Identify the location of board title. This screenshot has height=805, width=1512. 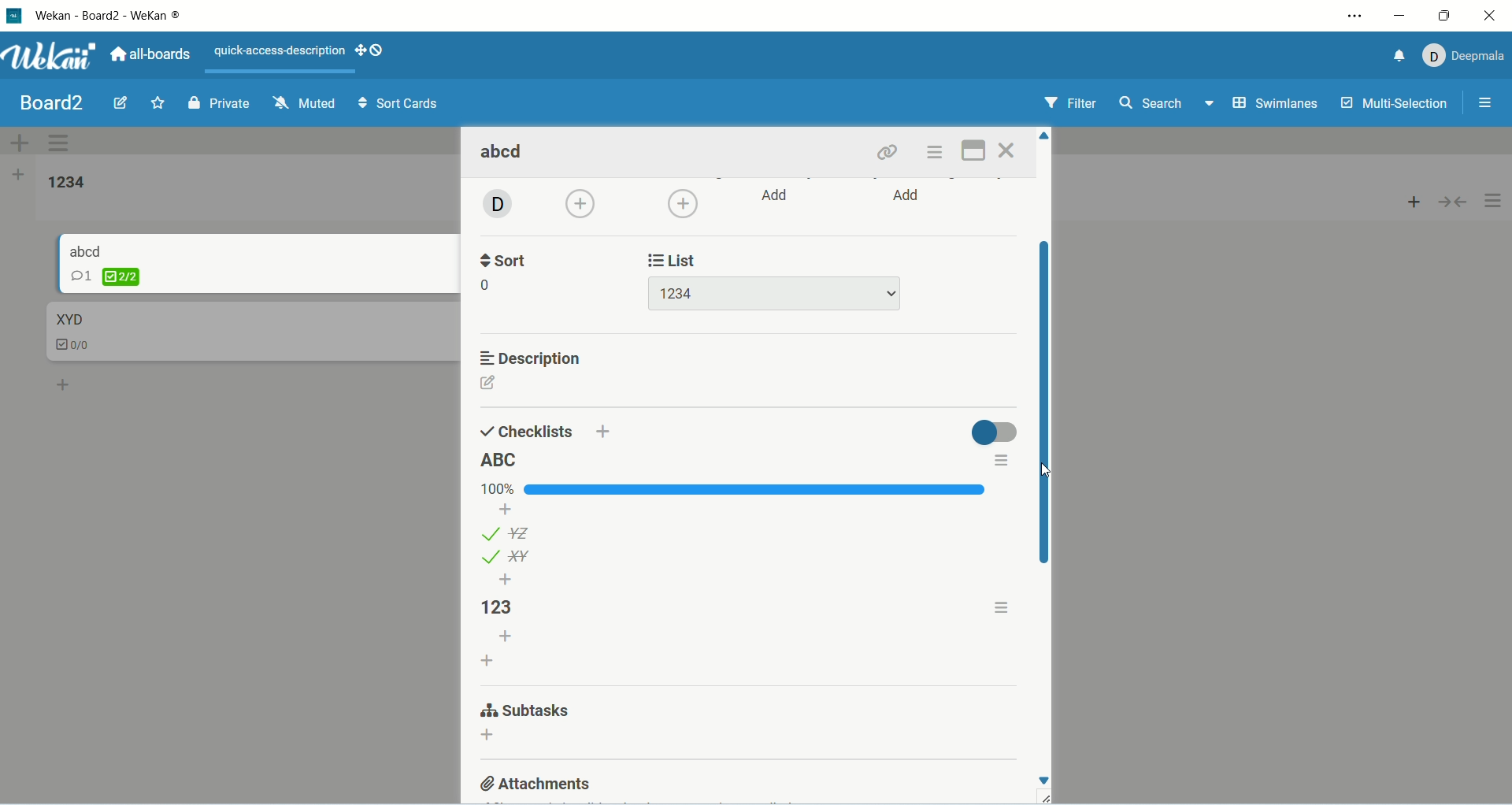
(48, 102).